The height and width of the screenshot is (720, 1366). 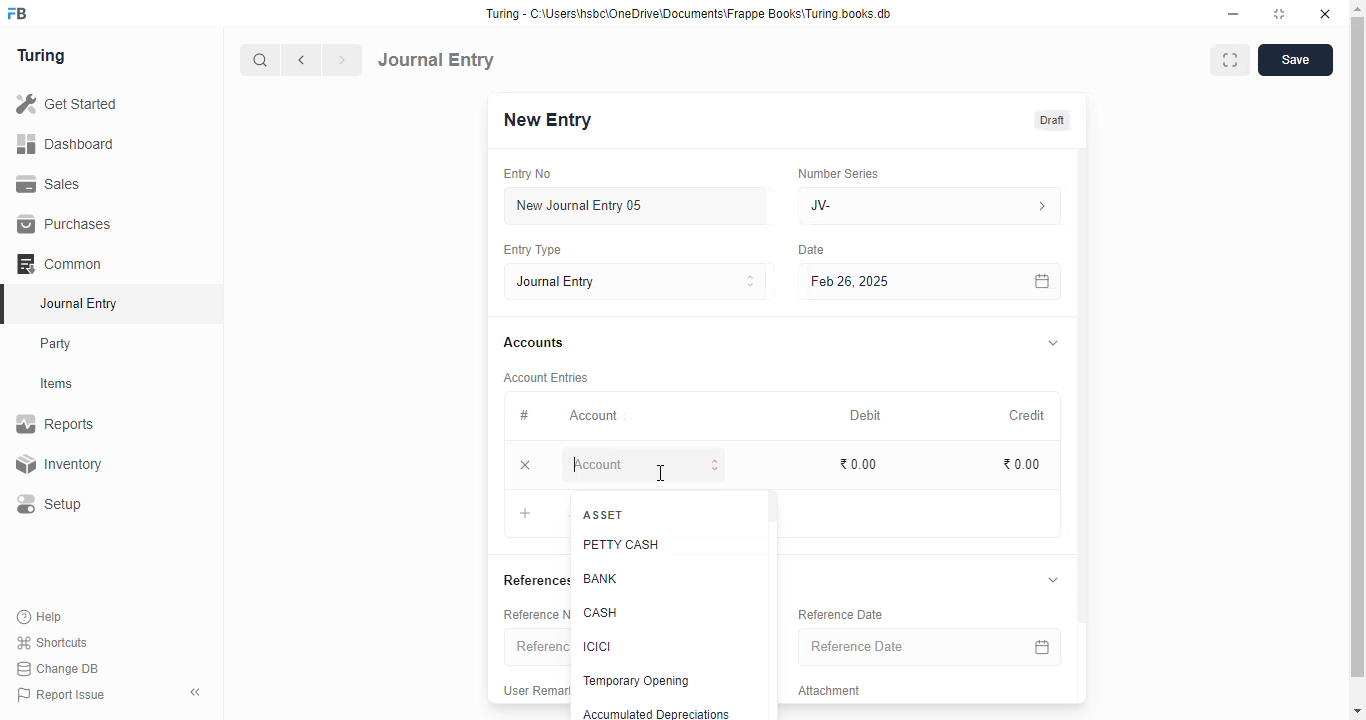 I want to click on ASSET, so click(x=604, y=514).